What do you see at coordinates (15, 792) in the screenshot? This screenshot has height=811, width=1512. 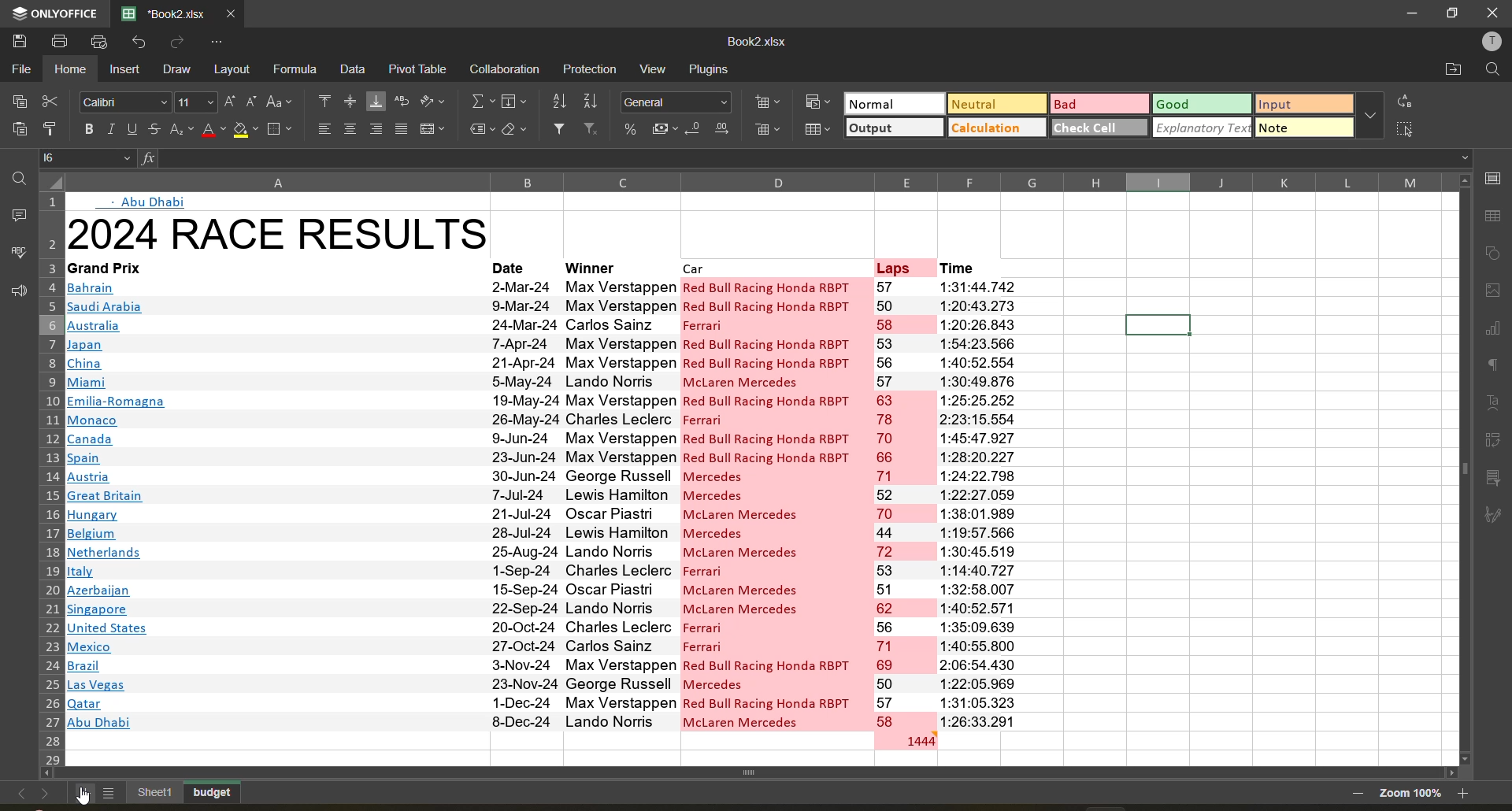 I see `previous` at bounding box center [15, 792].